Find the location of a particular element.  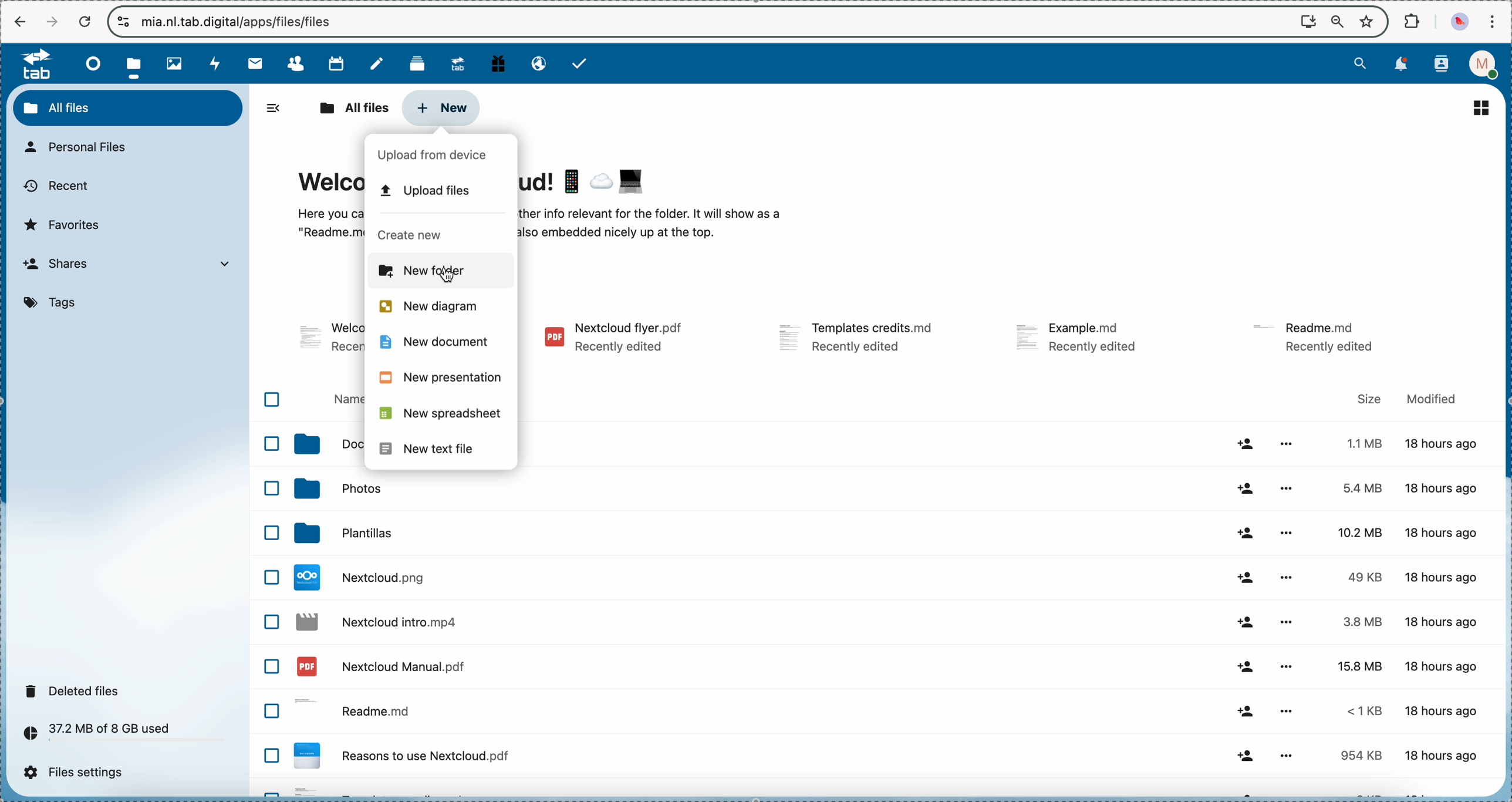

recent is located at coordinates (55, 187).